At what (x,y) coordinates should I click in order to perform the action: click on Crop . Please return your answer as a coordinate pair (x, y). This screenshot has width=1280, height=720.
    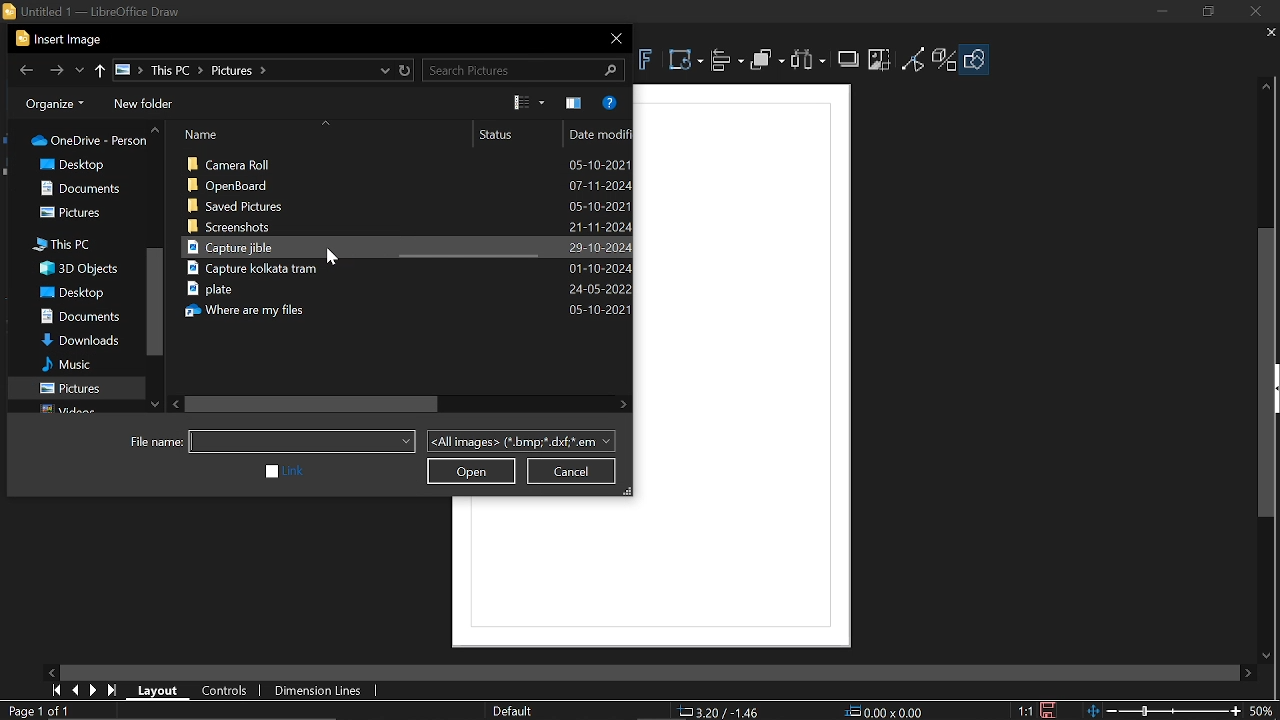
    Looking at the image, I should click on (882, 60).